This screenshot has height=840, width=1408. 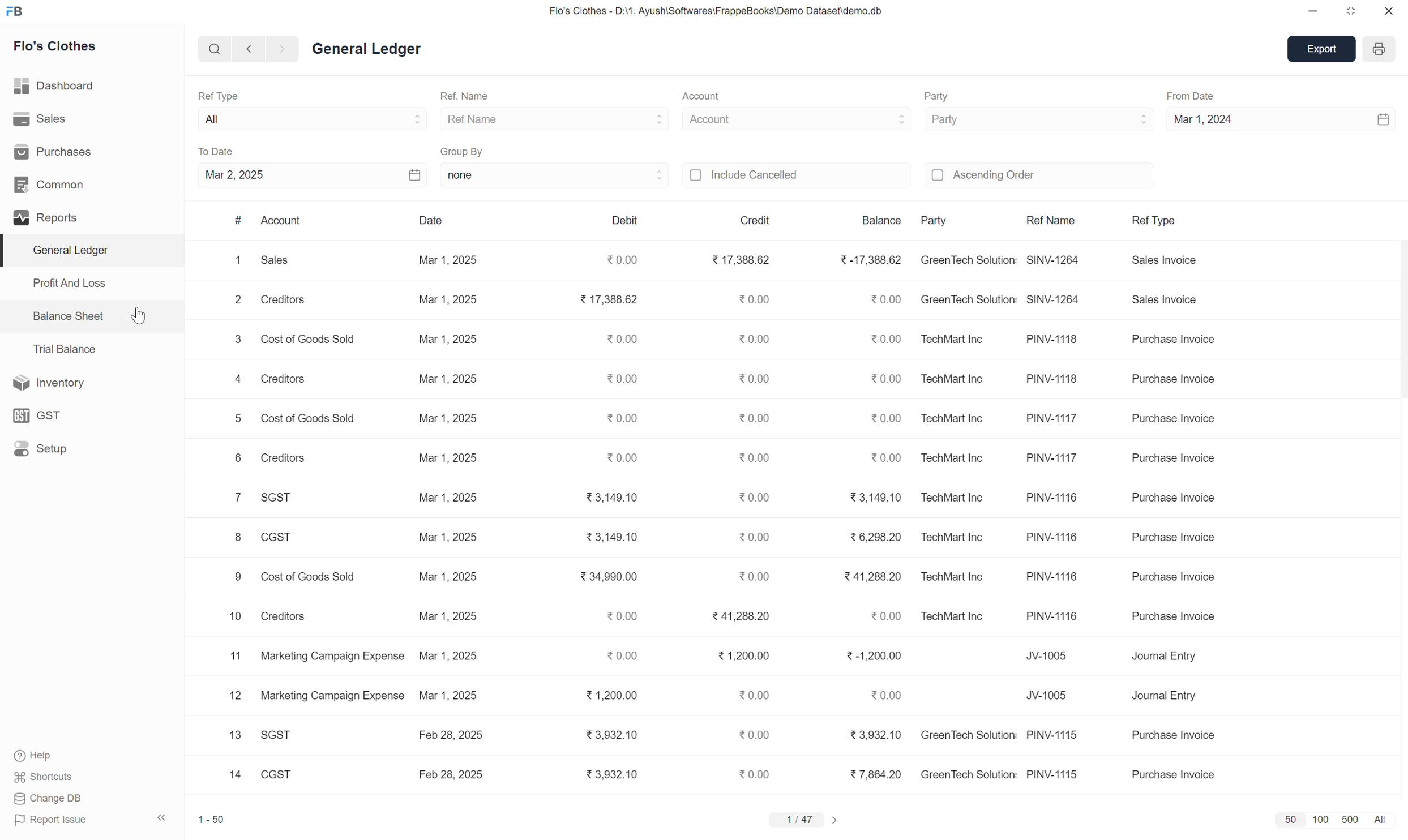 What do you see at coordinates (237, 260) in the screenshot?
I see `1` at bounding box center [237, 260].